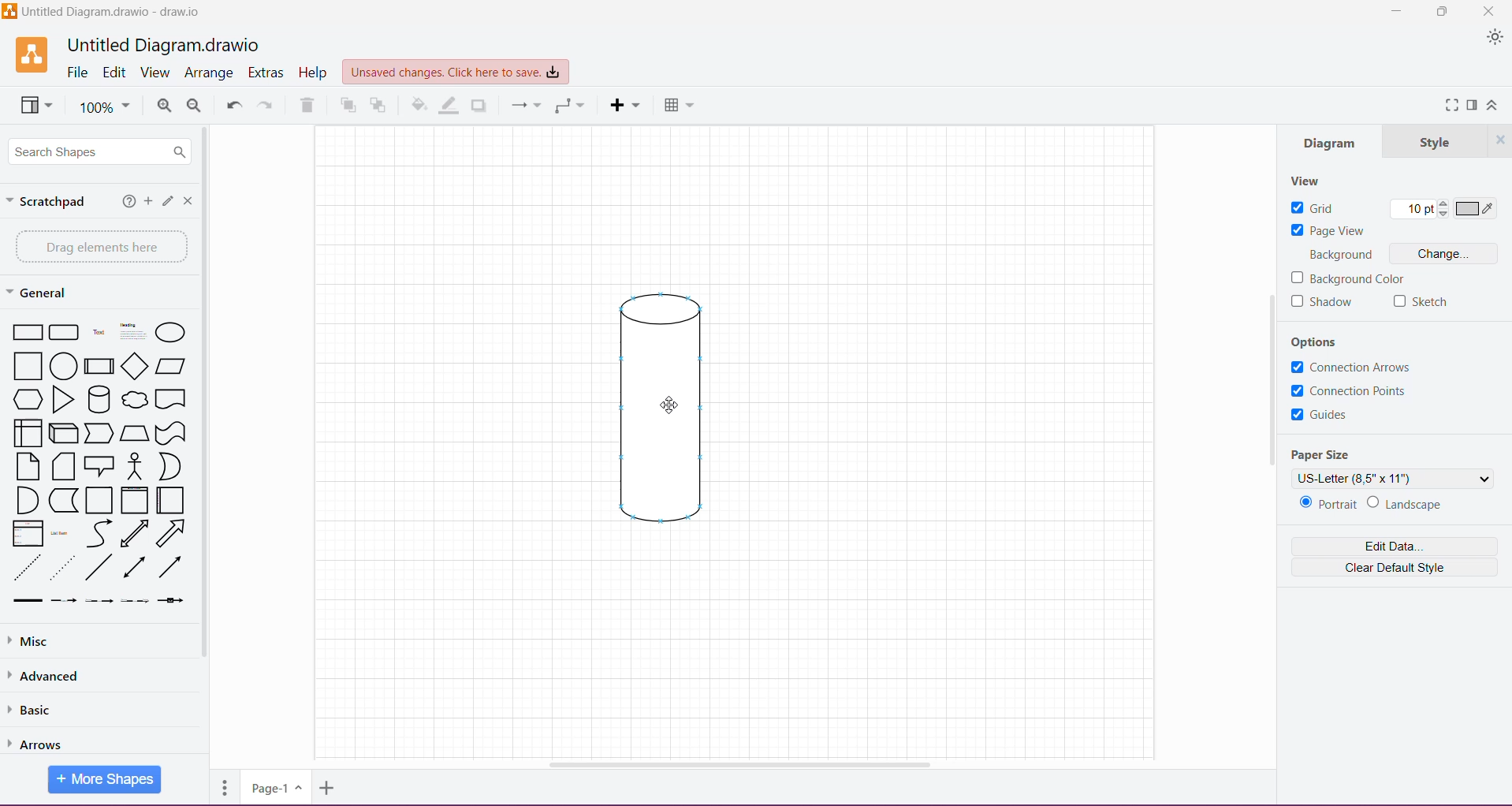  What do you see at coordinates (88, 641) in the screenshot?
I see `Misc` at bounding box center [88, 641].